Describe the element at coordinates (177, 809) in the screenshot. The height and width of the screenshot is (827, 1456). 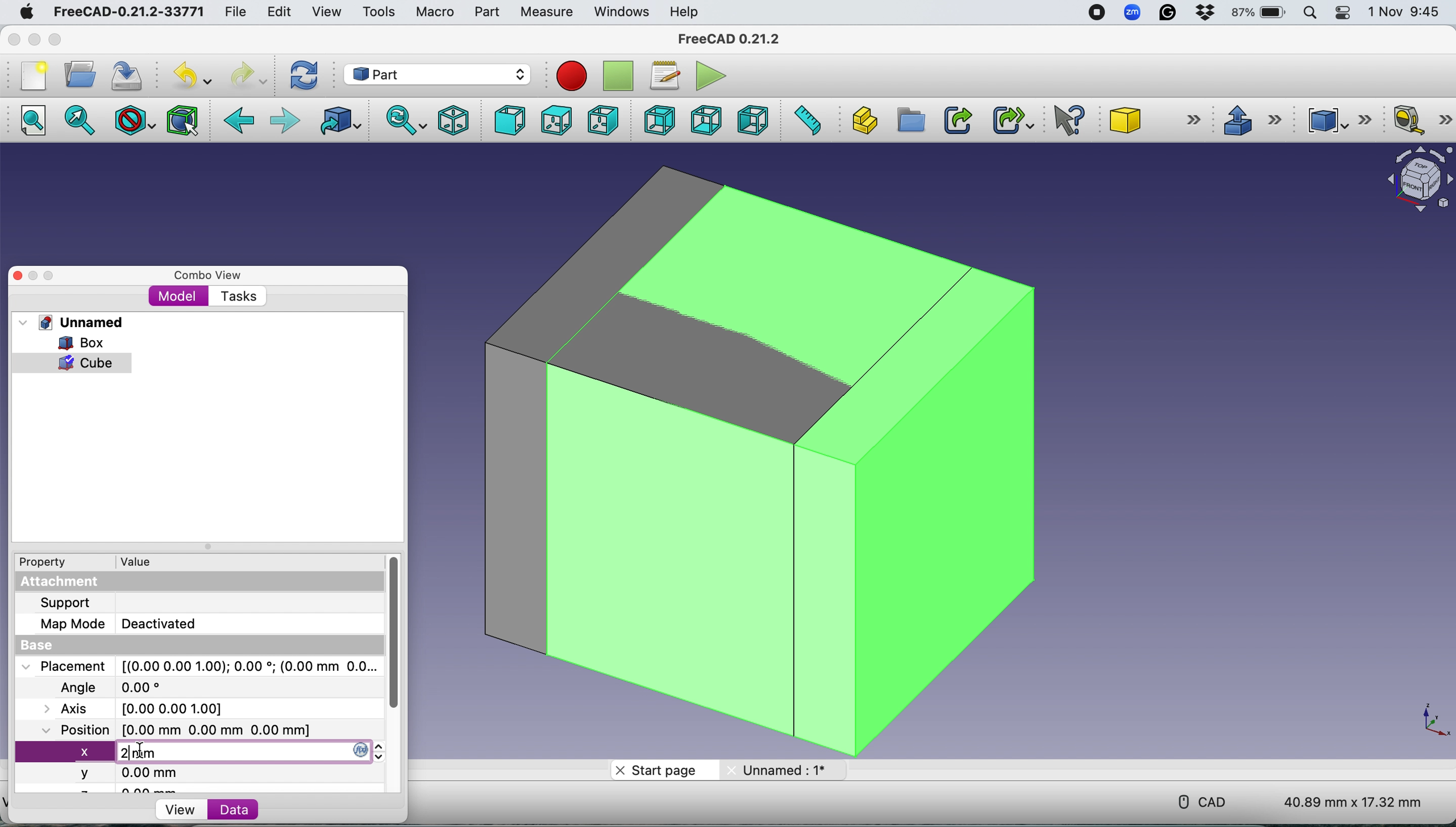
I see `View` at that location.